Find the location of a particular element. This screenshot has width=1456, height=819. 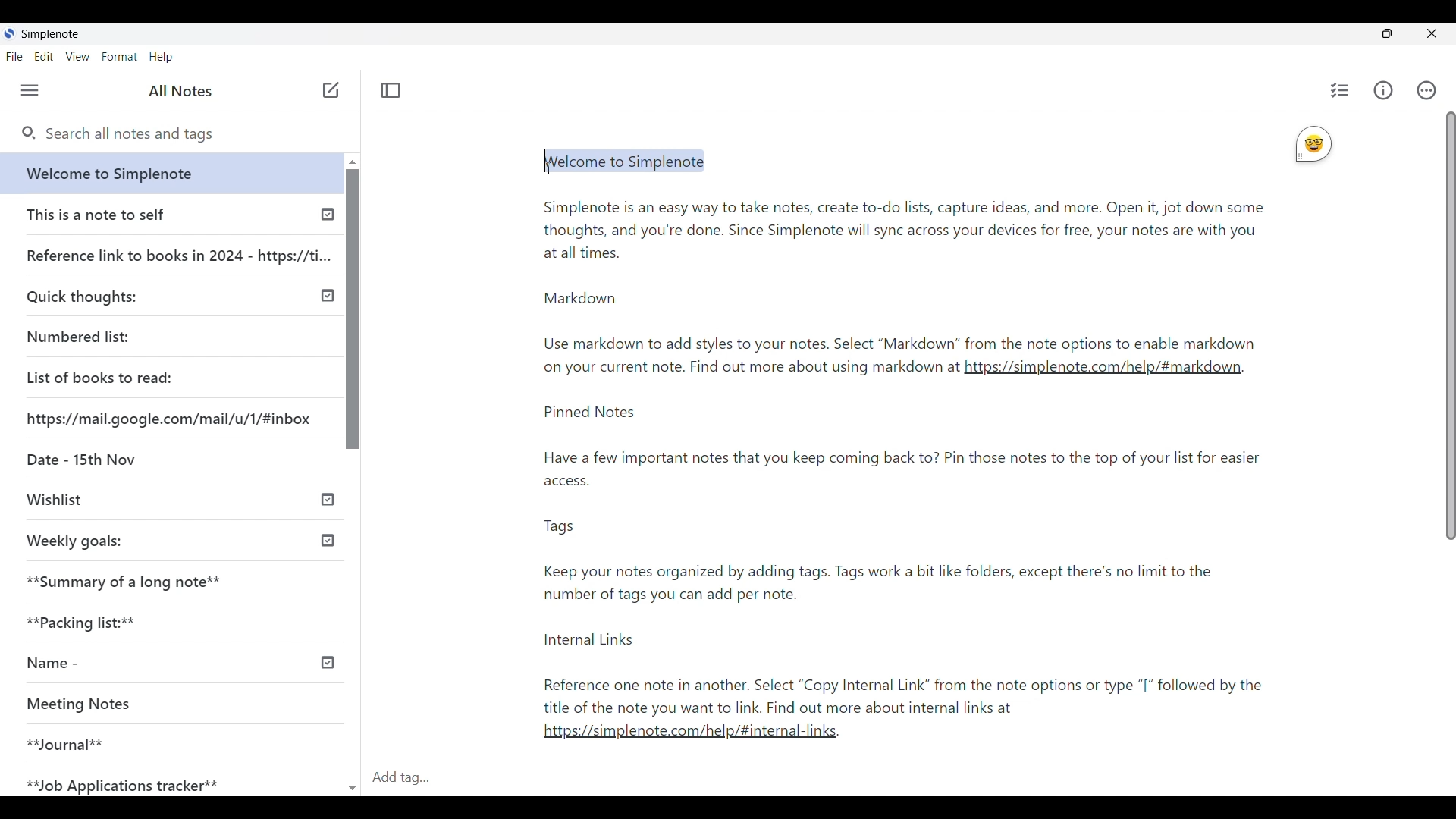

link is located at coordinates (1103, 372).